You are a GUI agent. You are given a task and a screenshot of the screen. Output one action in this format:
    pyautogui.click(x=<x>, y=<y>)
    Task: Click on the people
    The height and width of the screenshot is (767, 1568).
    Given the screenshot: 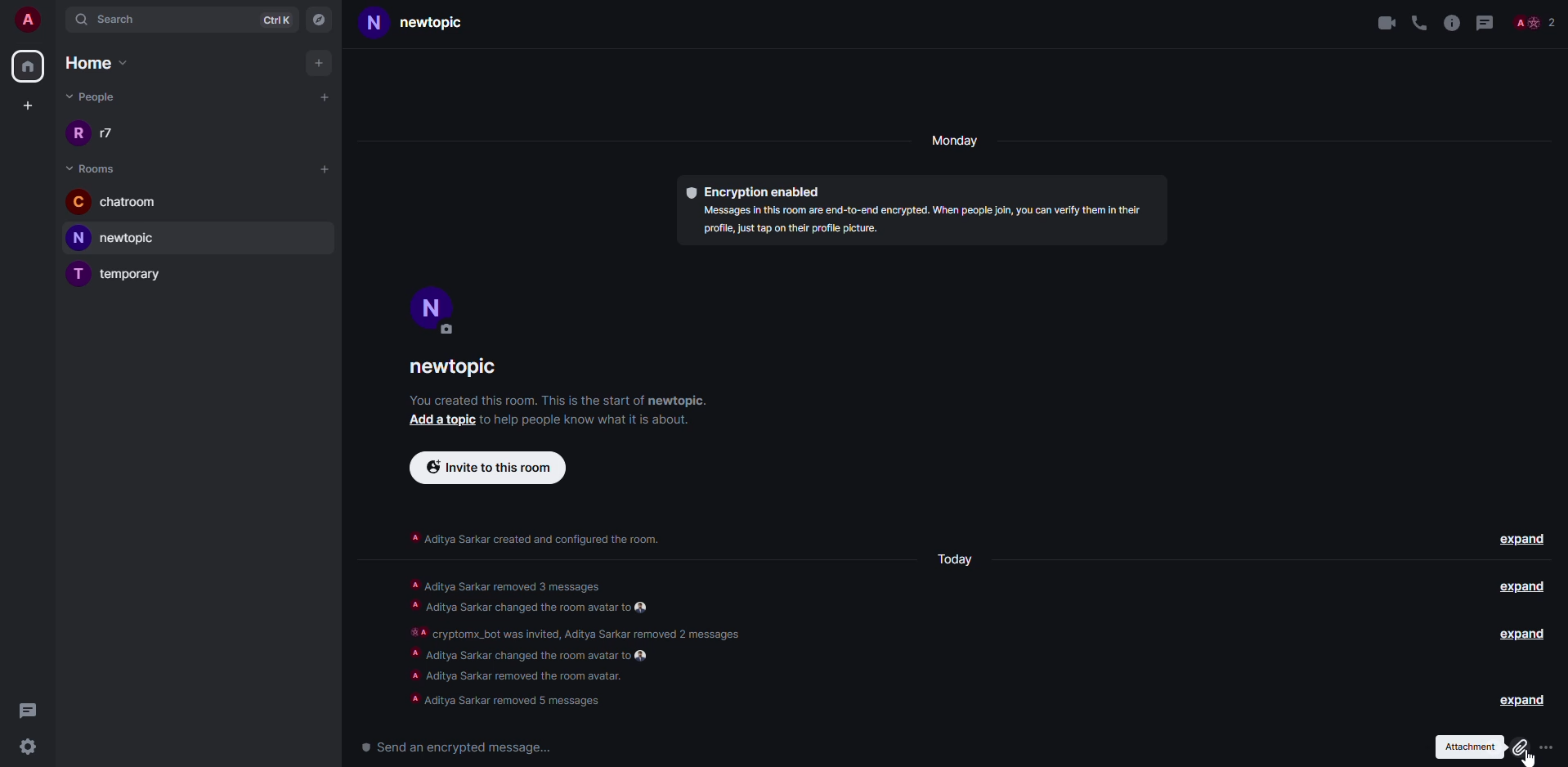 What is the action you would take?
    pyautogui.click(x=102, y=135)
    